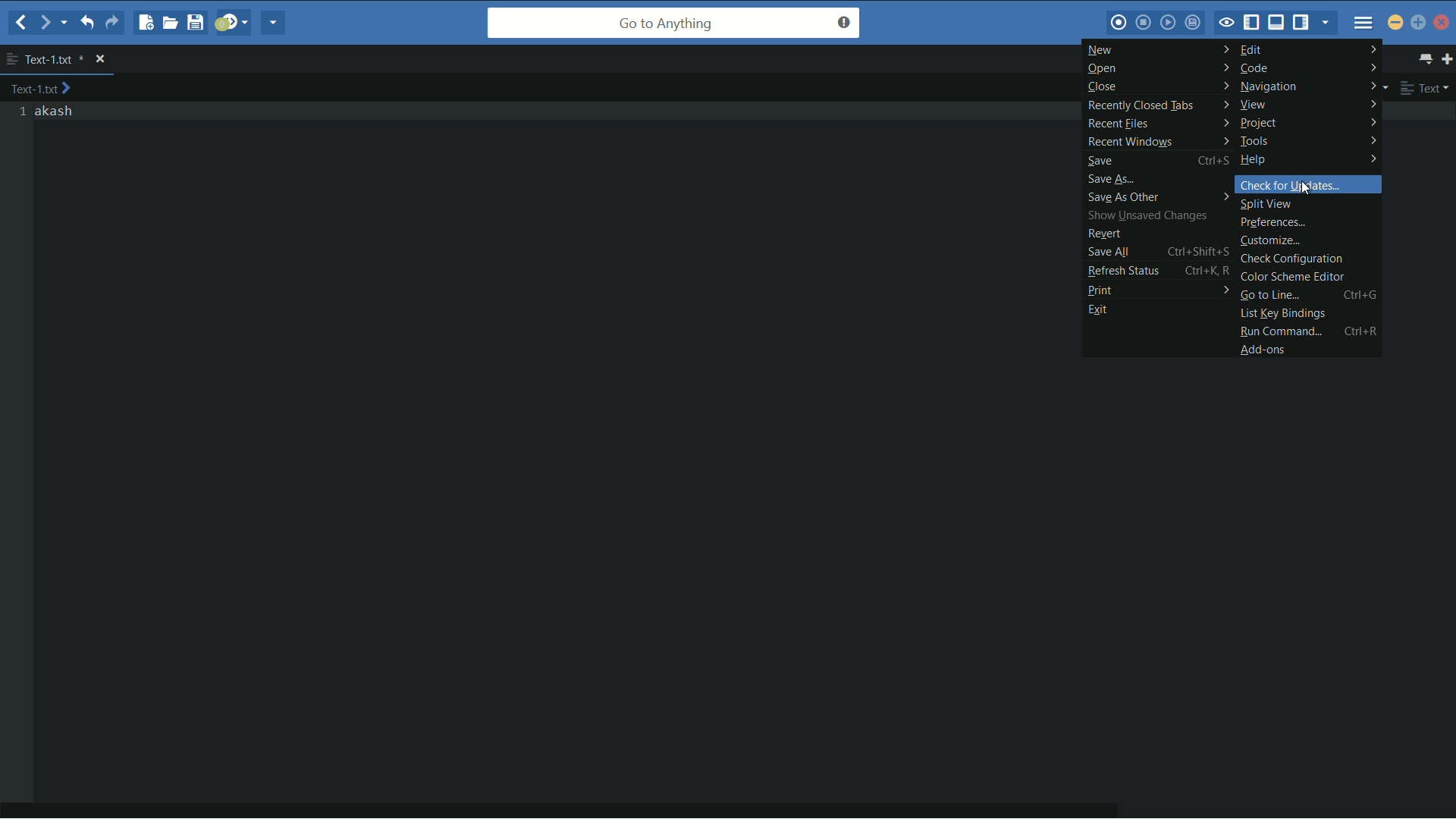  I want to click on check for updates, so click(1307, 184).